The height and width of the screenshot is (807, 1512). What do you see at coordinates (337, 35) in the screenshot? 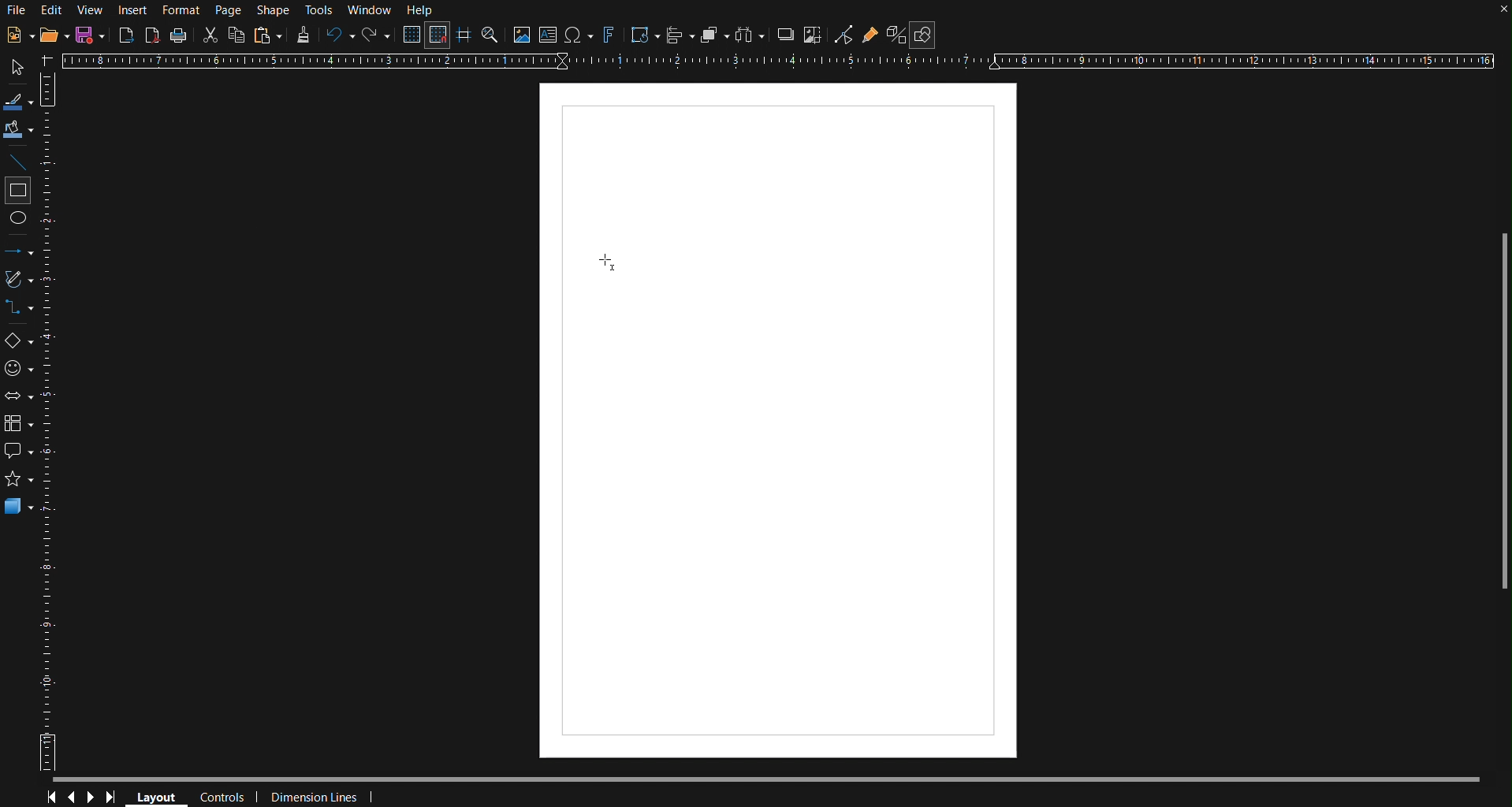
I see `Undo` at bounding box center [337, 35].